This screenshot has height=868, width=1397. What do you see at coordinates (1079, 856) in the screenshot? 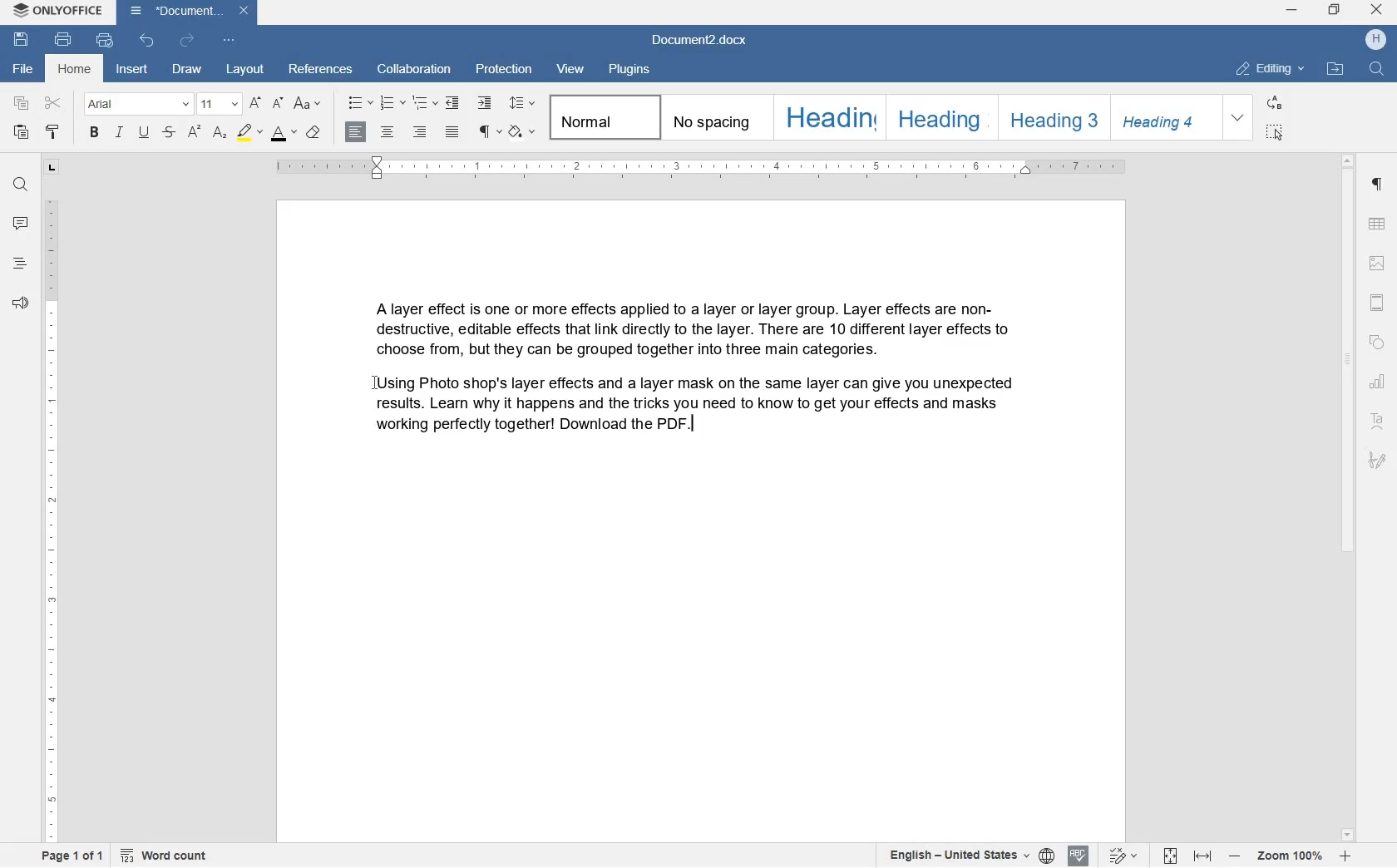
I see `SPELL CHECKING` at bounding box center [1079, 856].